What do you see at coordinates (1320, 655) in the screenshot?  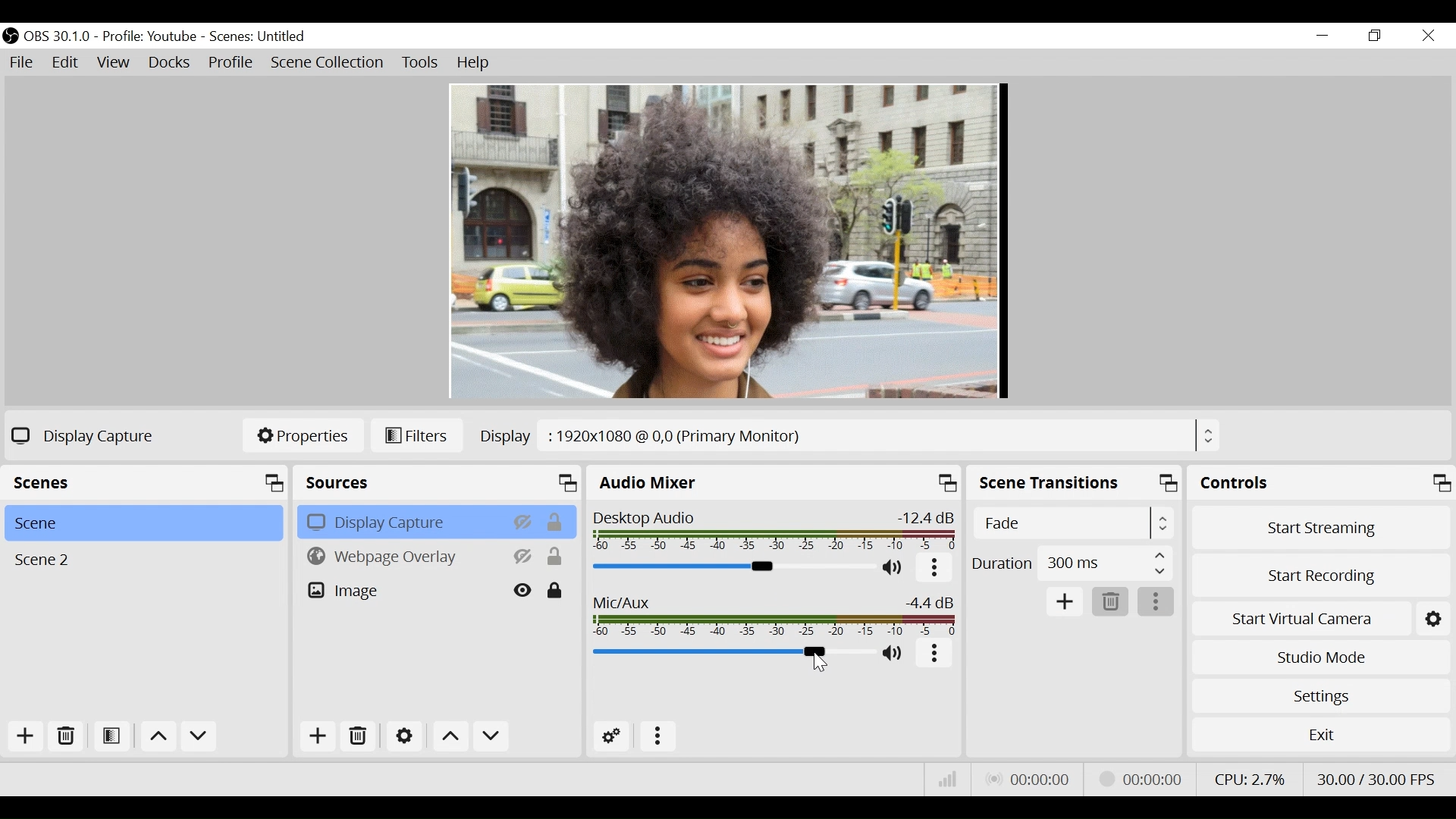 I see `Studio Mode` at bounding box center [1320, 655].